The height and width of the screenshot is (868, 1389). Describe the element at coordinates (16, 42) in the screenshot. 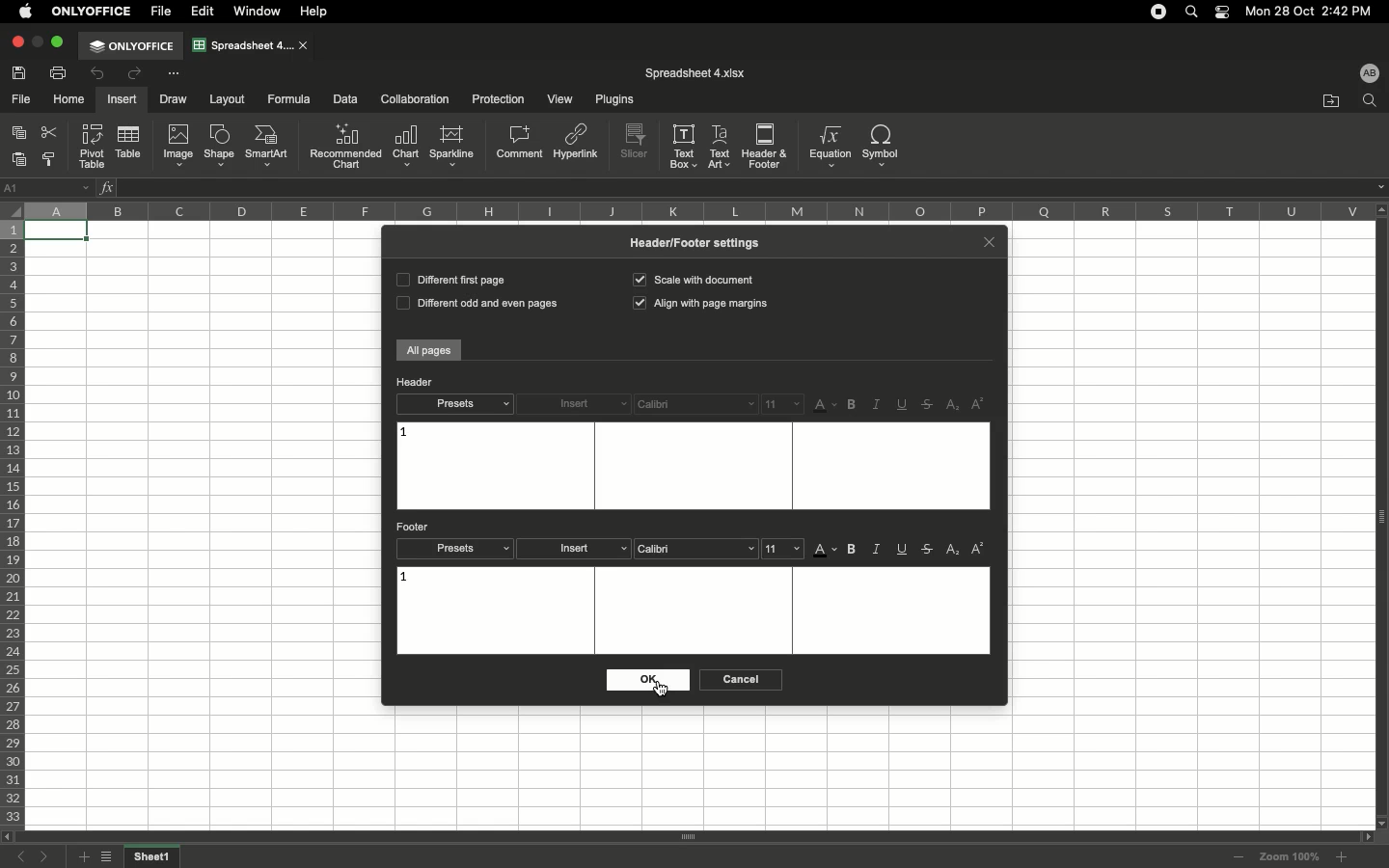

I see `Close` at that location.